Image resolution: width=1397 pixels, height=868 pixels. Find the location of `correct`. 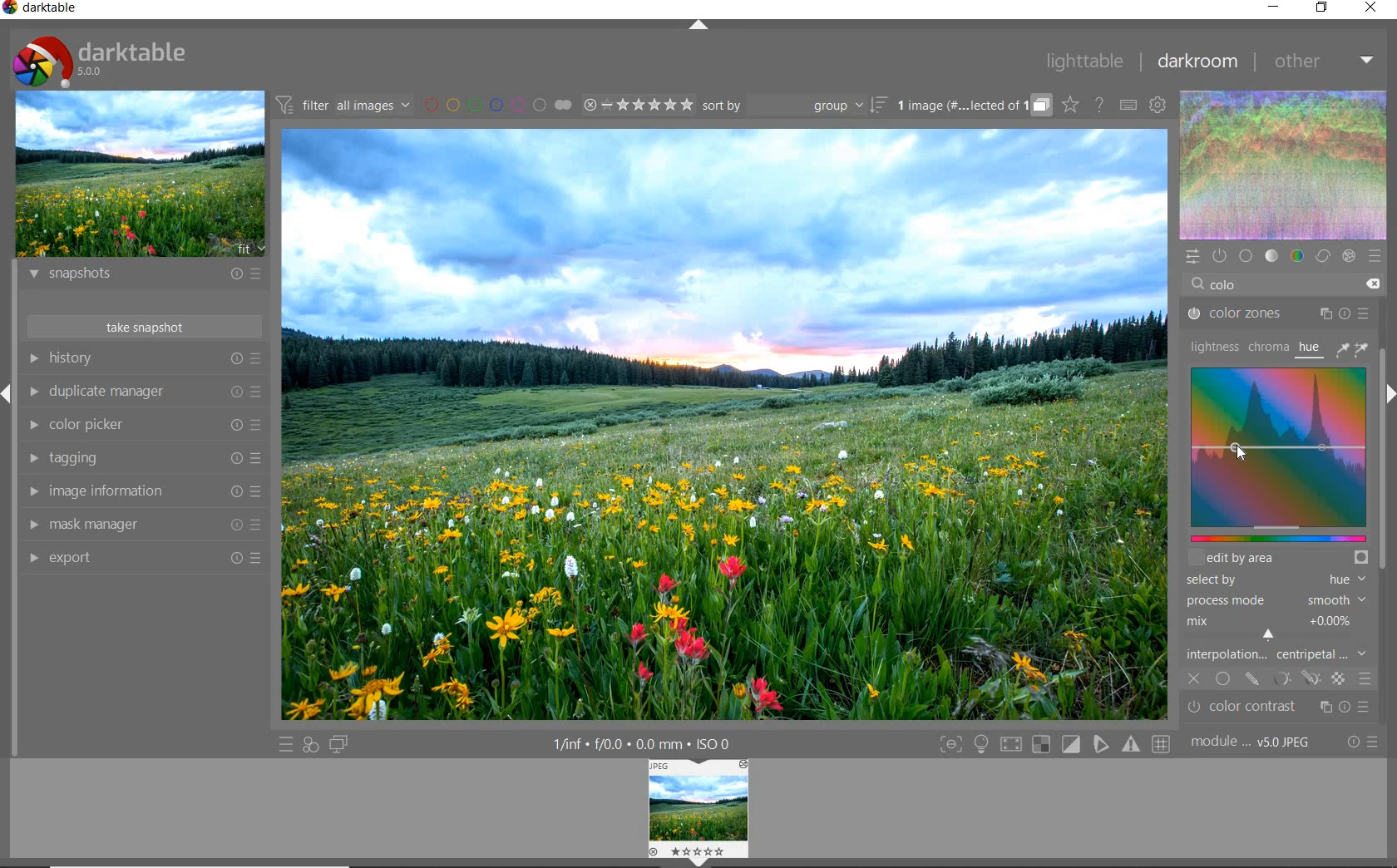

correct is located at coordinates (1322, 255).